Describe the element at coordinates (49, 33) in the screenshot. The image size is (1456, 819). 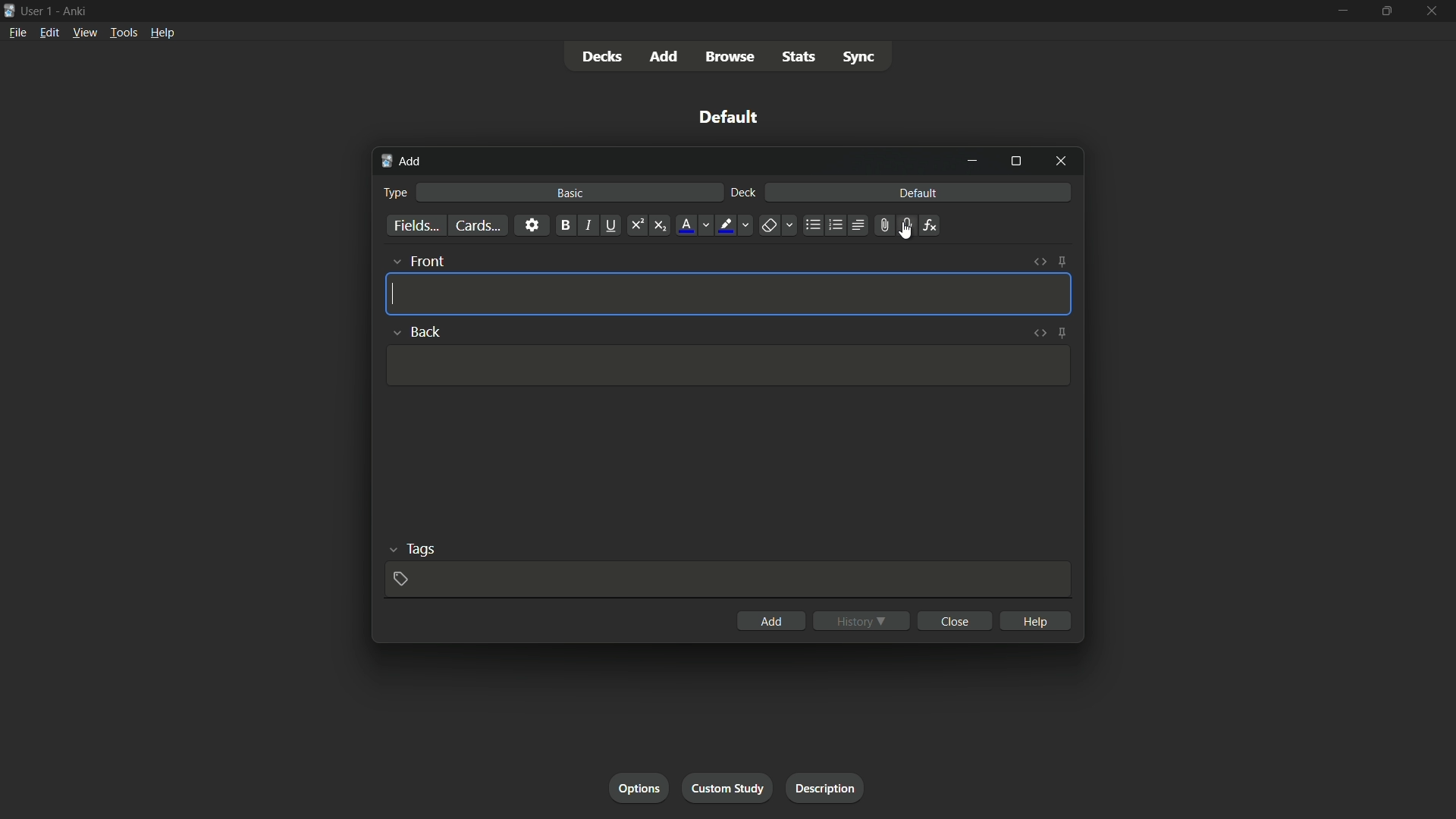
I see `edit menu` at that location.